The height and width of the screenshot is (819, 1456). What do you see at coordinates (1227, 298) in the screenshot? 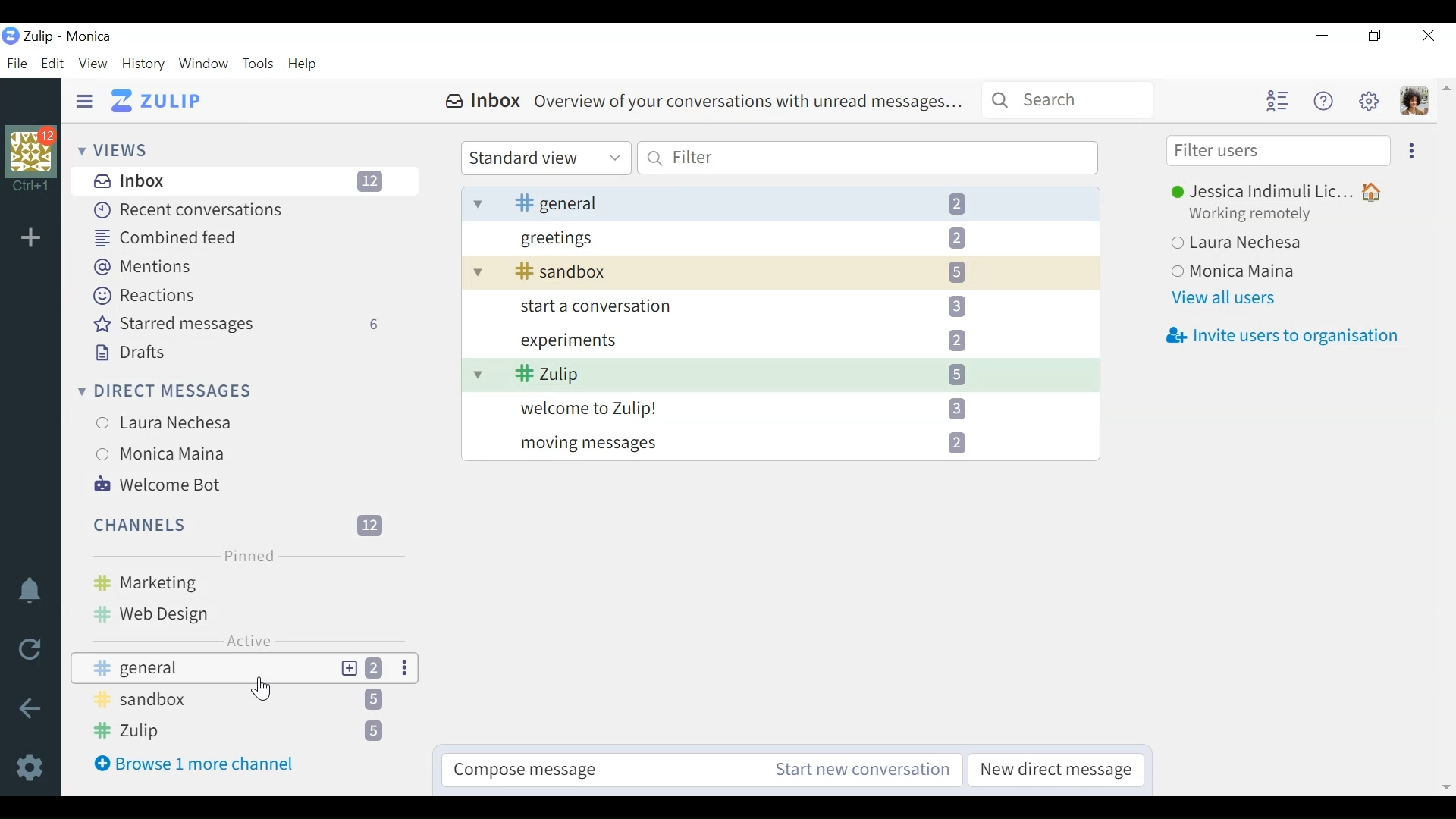
I see `View all users` at bounding box center [1227, 298].